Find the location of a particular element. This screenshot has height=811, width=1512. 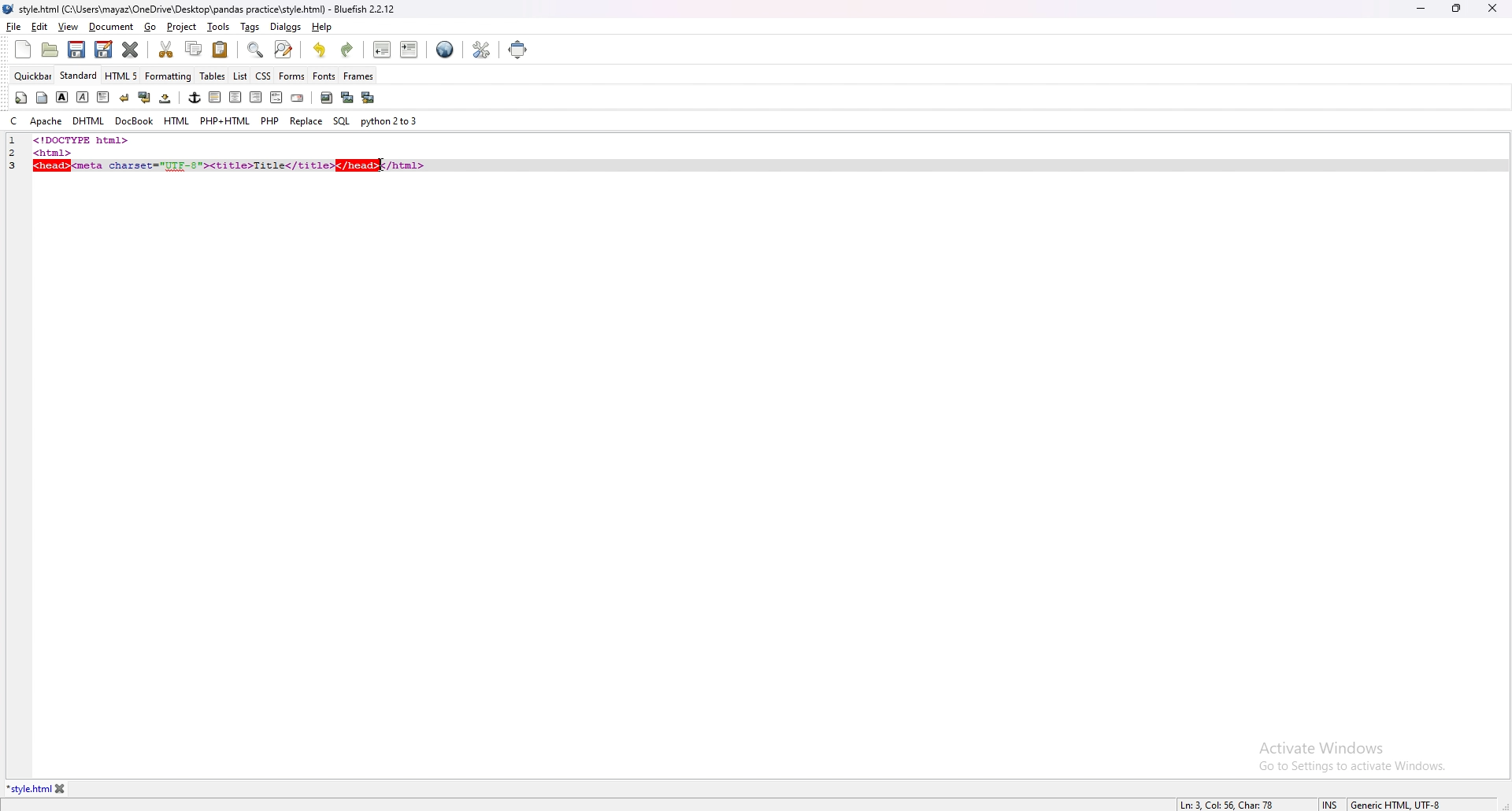

unindent is located at coordinates (383, 50).